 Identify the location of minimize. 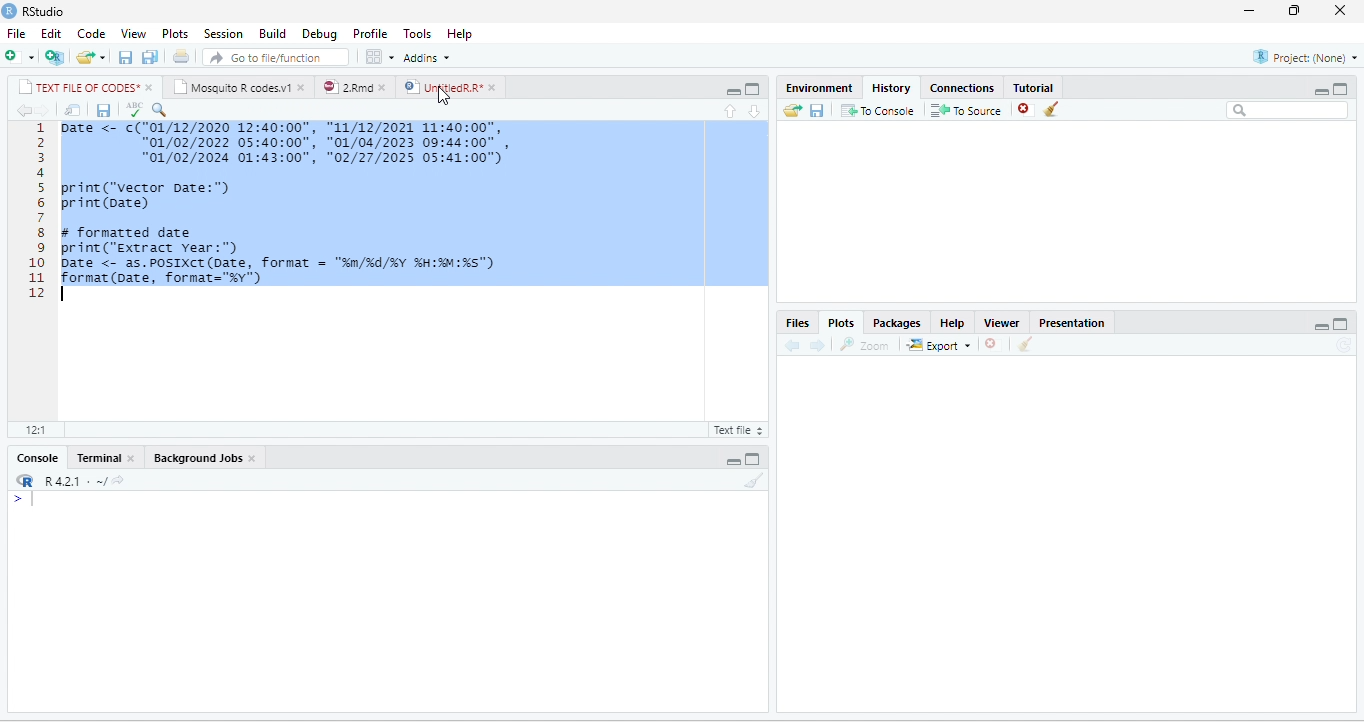
(1321, 326).